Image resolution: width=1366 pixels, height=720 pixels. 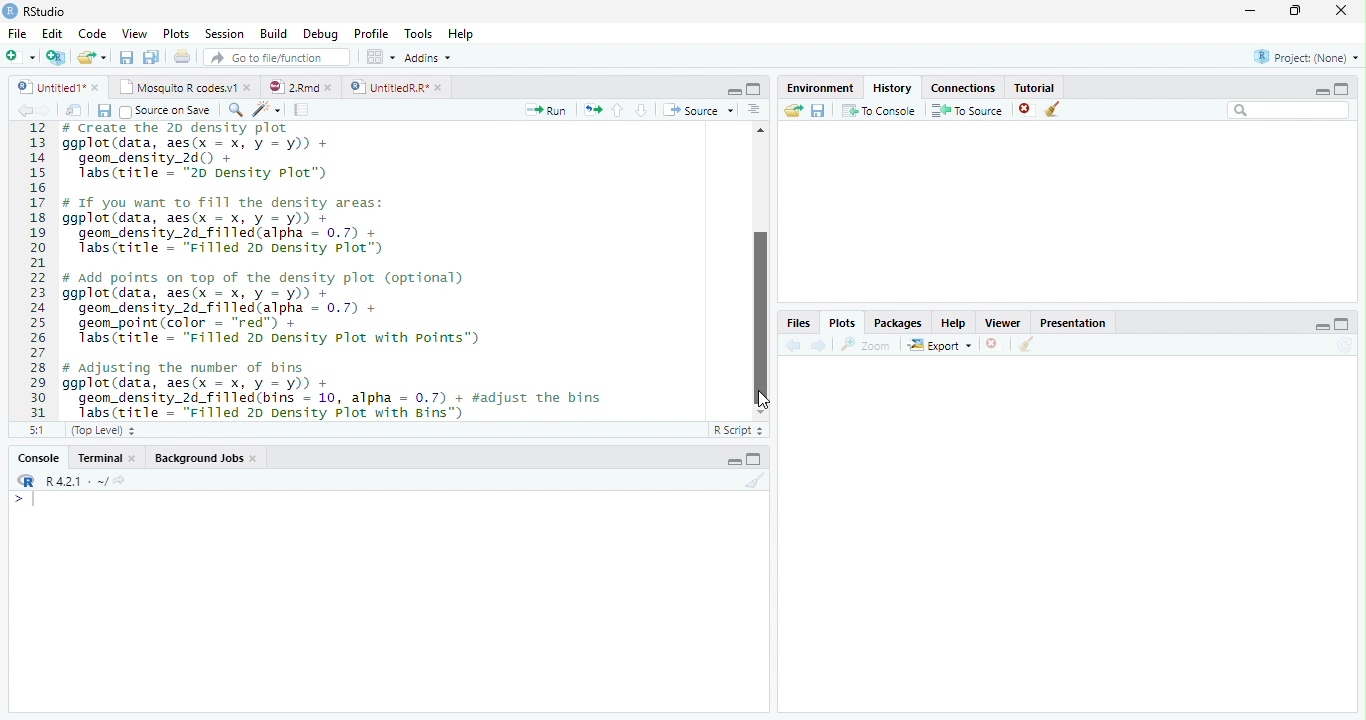 What do you see at coordinates (1072, 324) in the screenshot?
I see `Presentatior` at bounding box center [1072, 324].